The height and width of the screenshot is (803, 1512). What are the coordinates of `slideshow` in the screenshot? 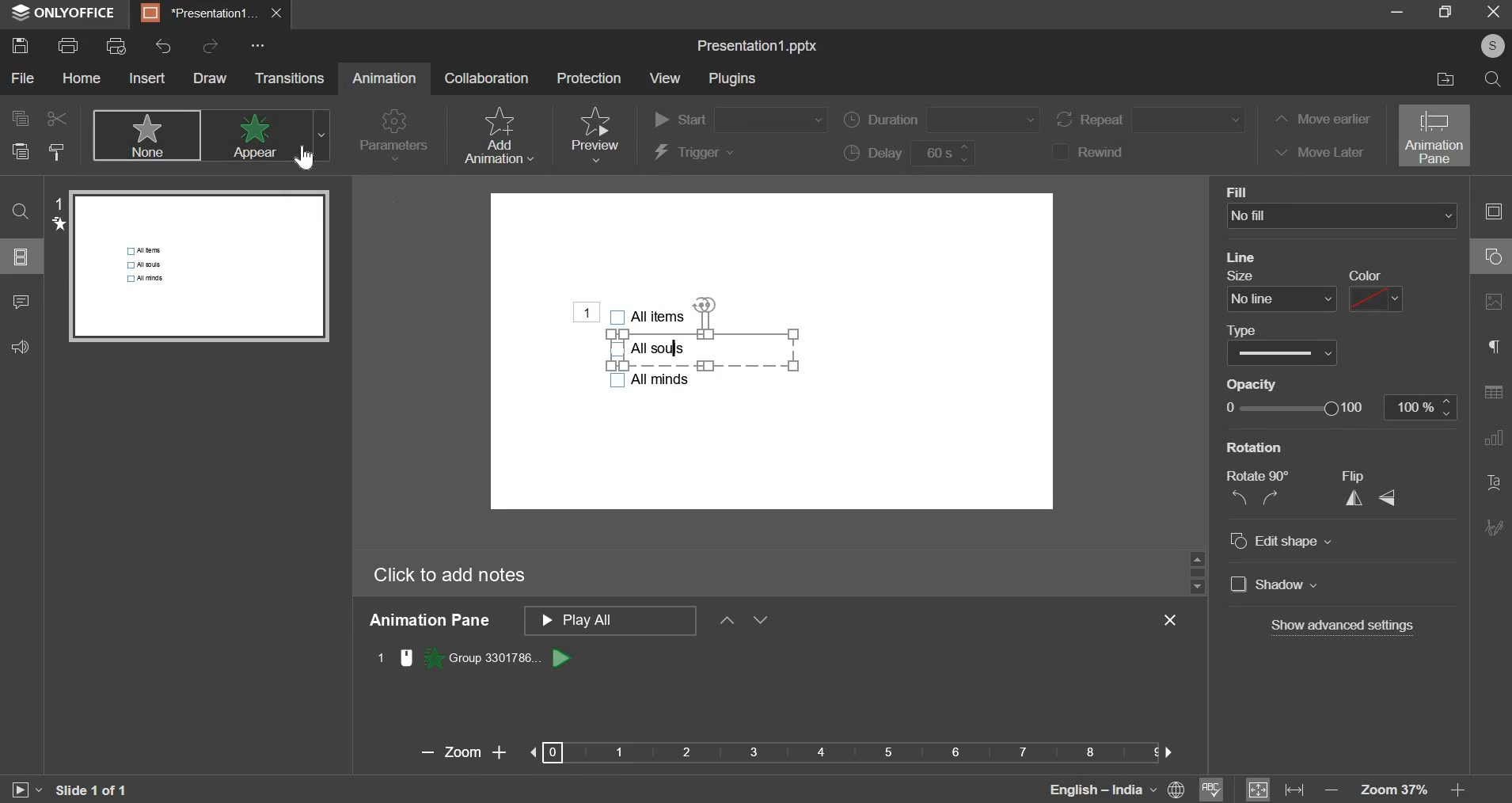 It's located at (25, 788).